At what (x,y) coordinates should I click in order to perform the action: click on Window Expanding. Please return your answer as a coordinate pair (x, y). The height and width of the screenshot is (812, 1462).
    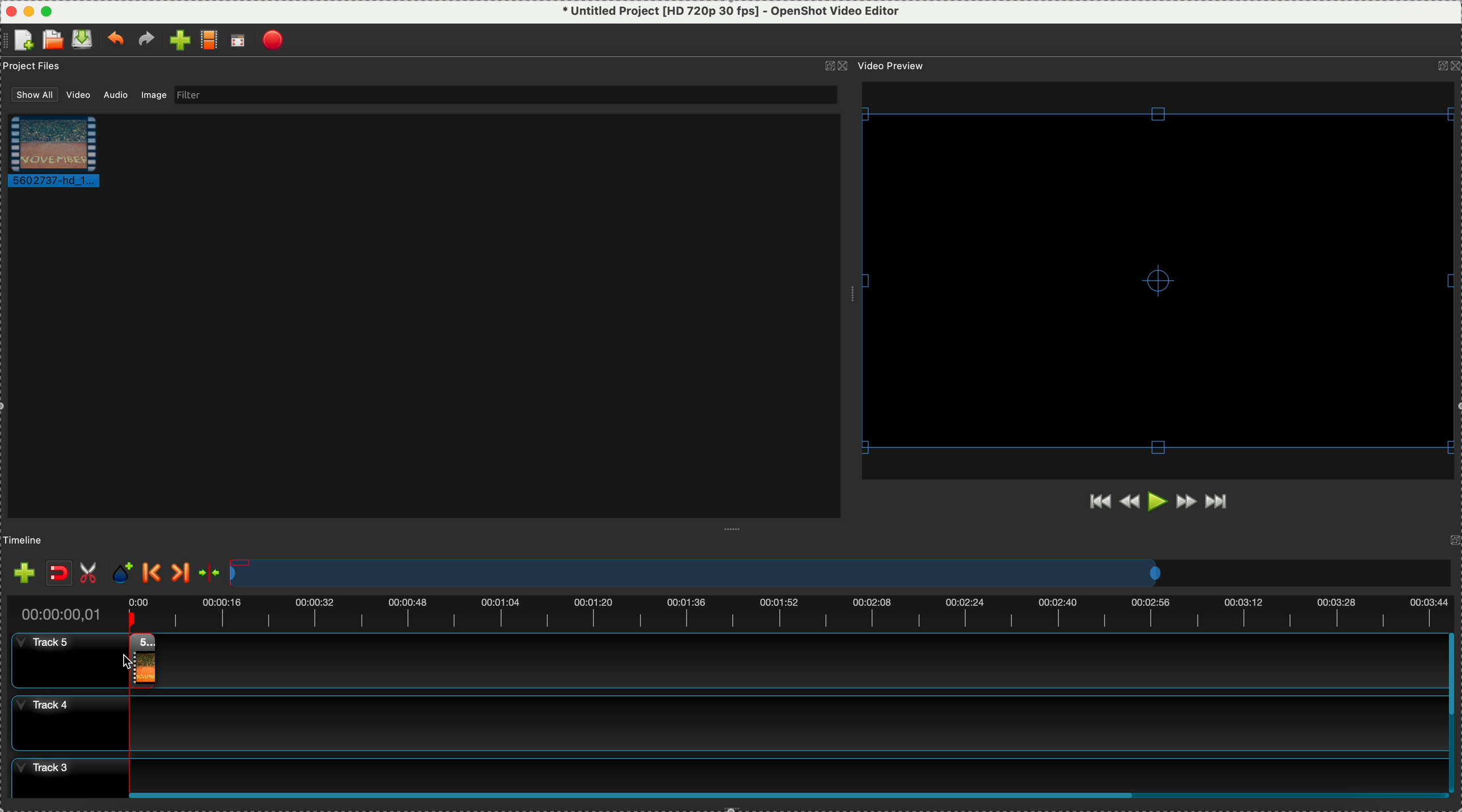
    Looking at the image, I should click on (850, 291).